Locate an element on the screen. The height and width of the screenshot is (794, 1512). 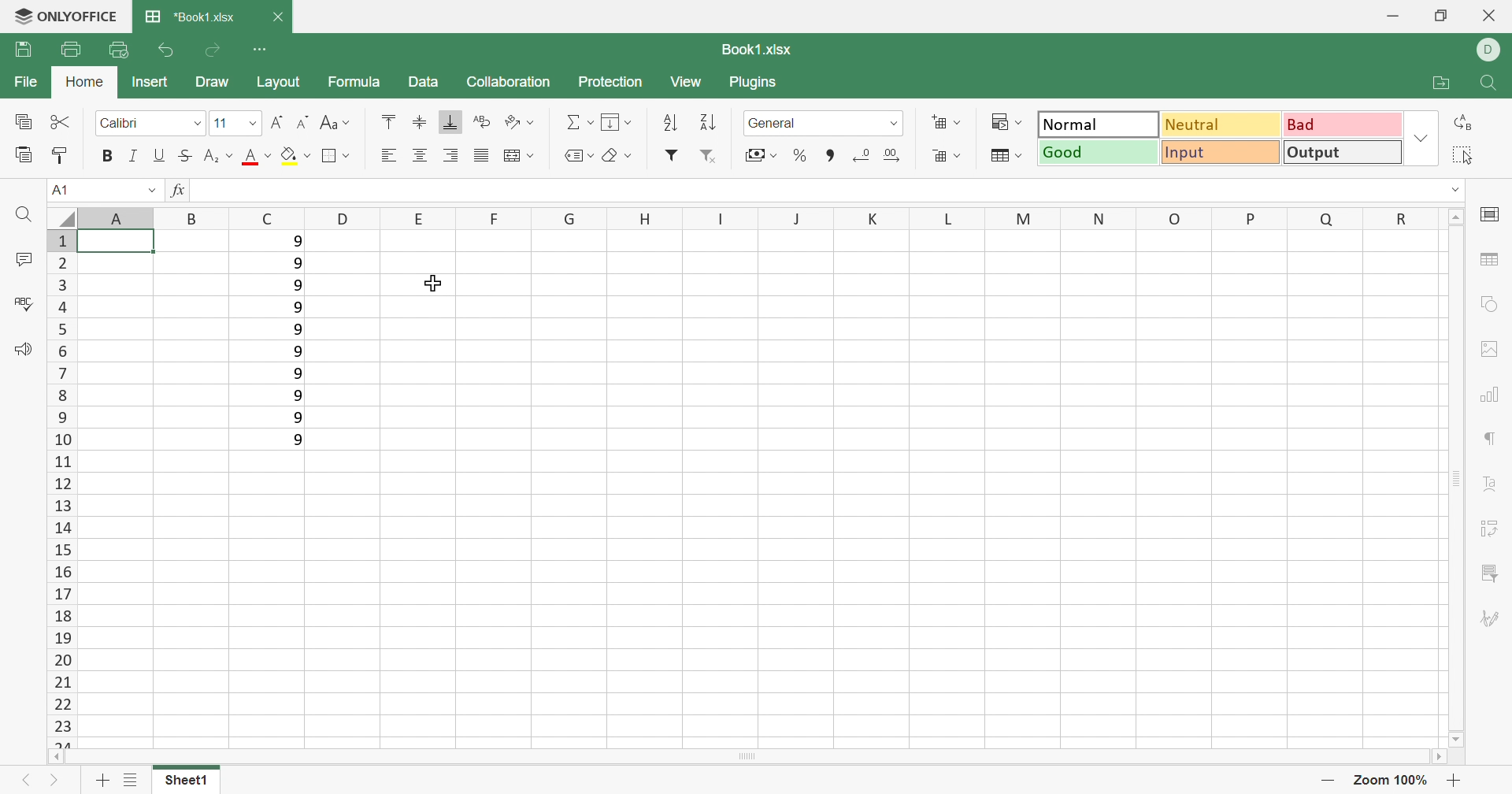
Drop Down is located at coordinates (252, 123).